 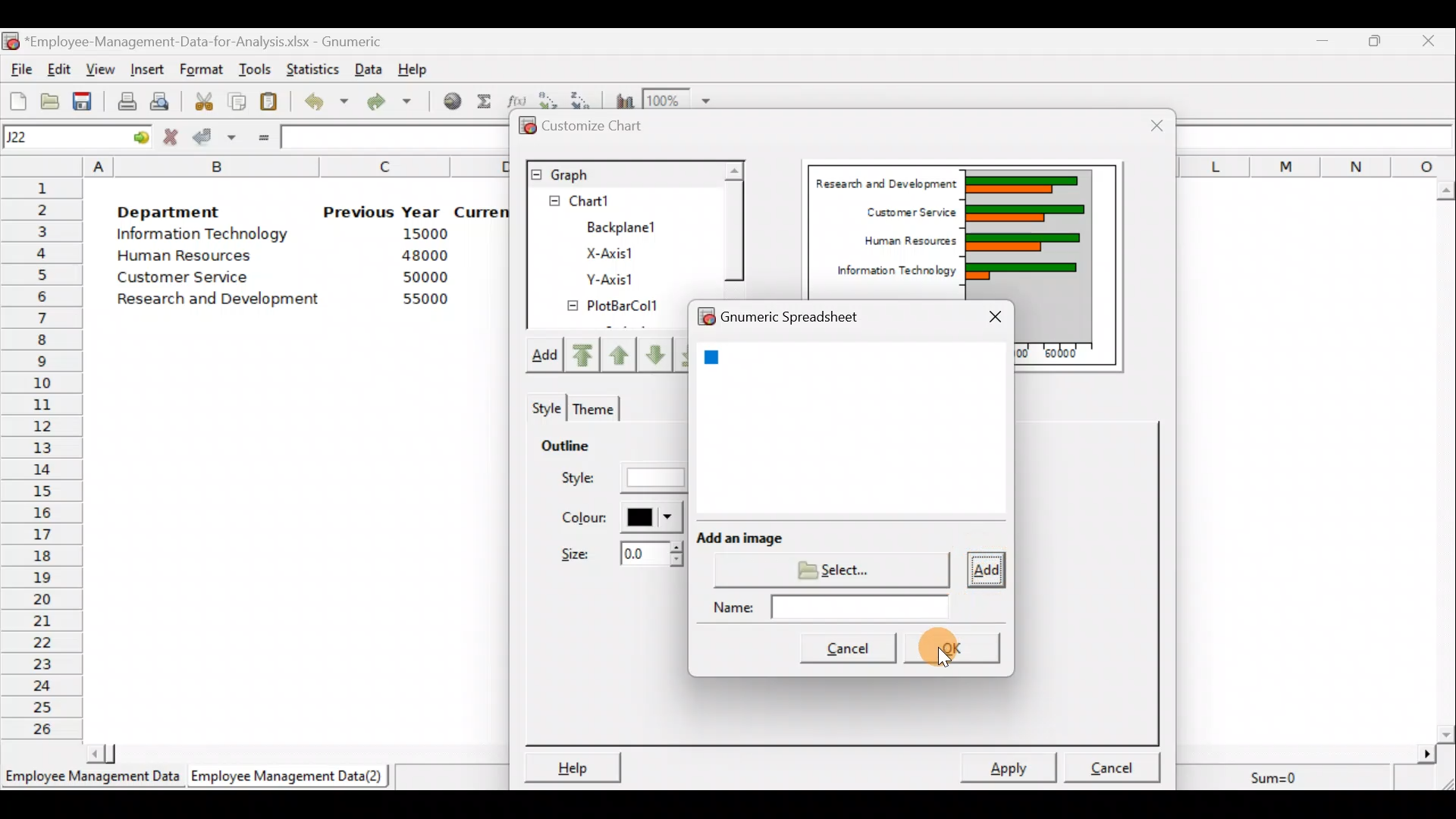 What do you see at coordinates (203, 67) in the screenshot?
I see `Format` at bounding box center [203, 67].